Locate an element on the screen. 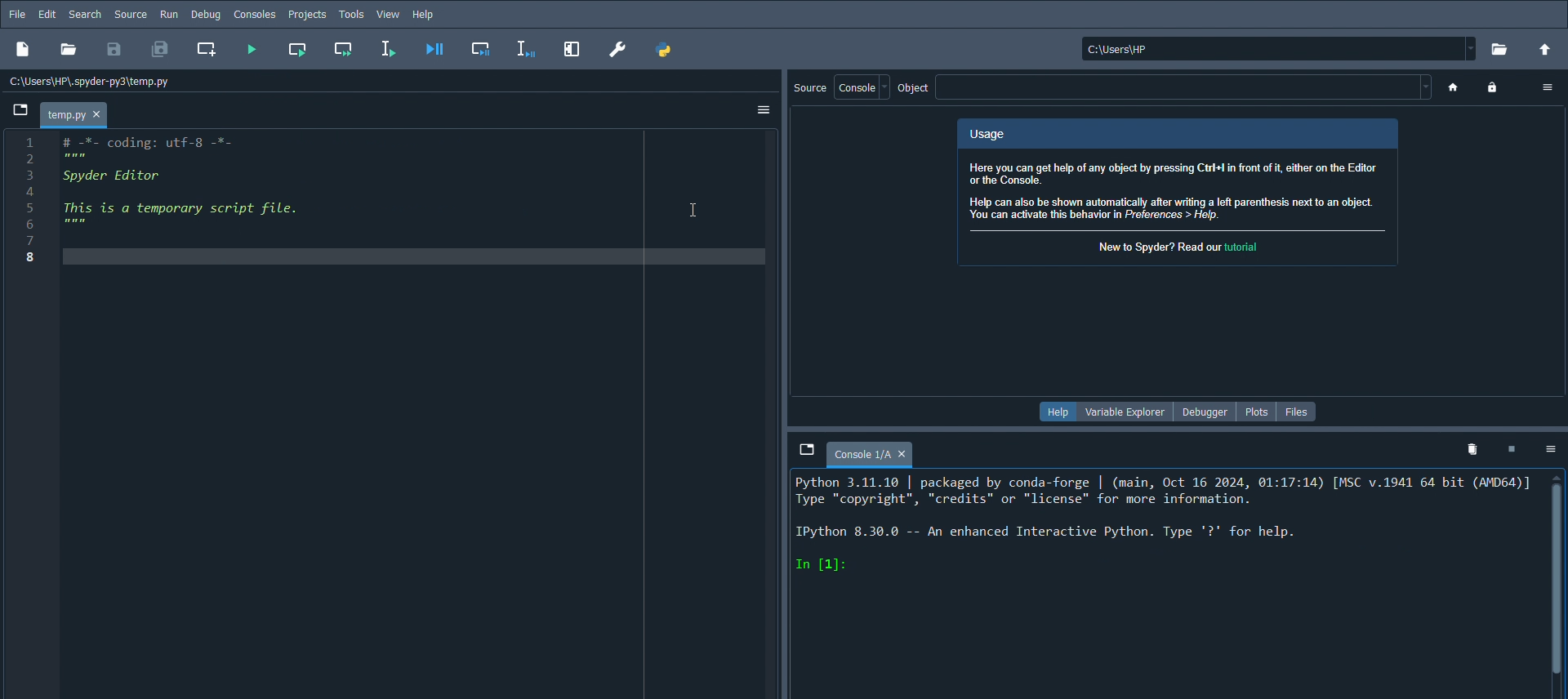  Console is located at coordinates (870, 451).